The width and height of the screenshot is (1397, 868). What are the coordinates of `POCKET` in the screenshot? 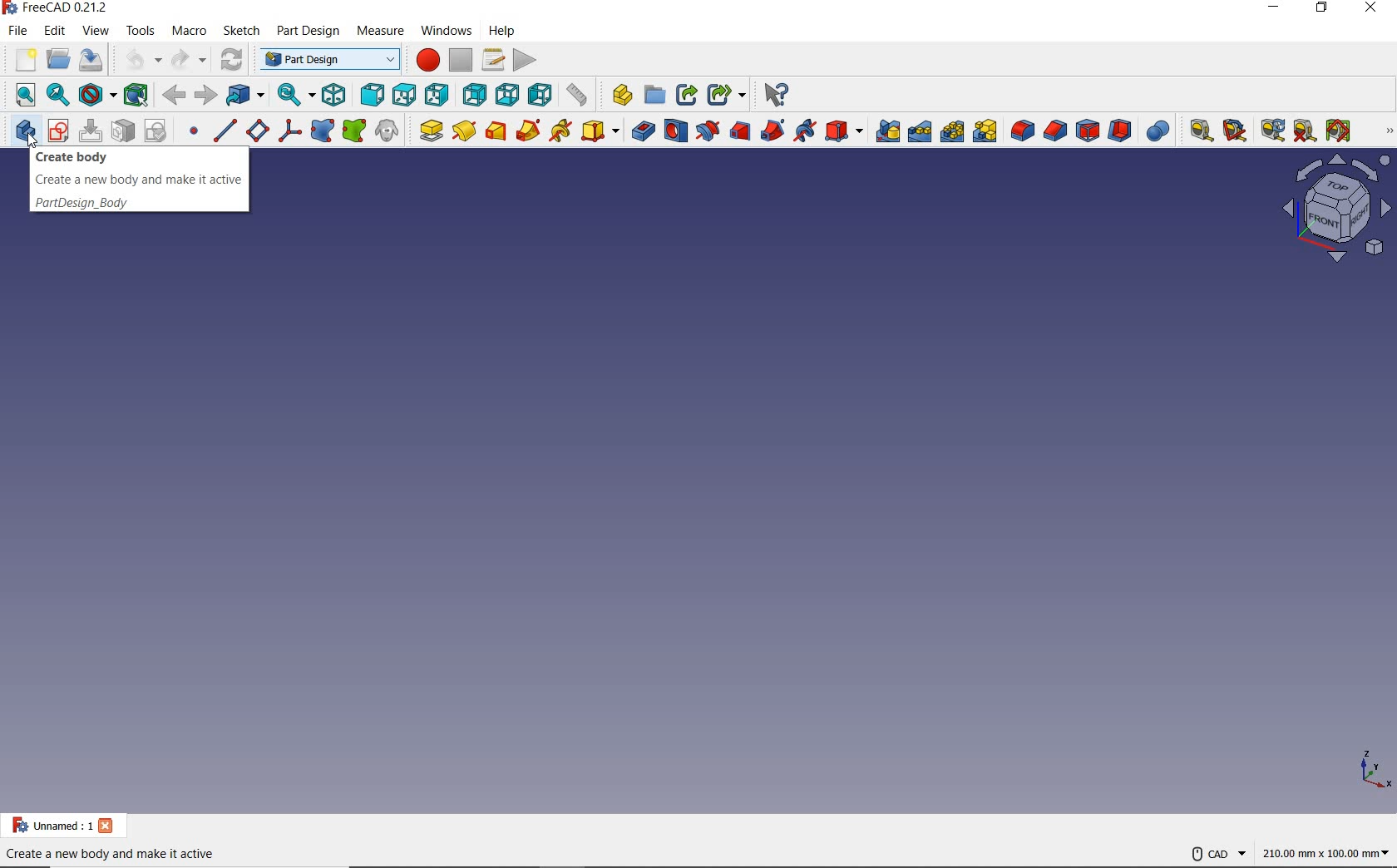 It's located at (643, 129).